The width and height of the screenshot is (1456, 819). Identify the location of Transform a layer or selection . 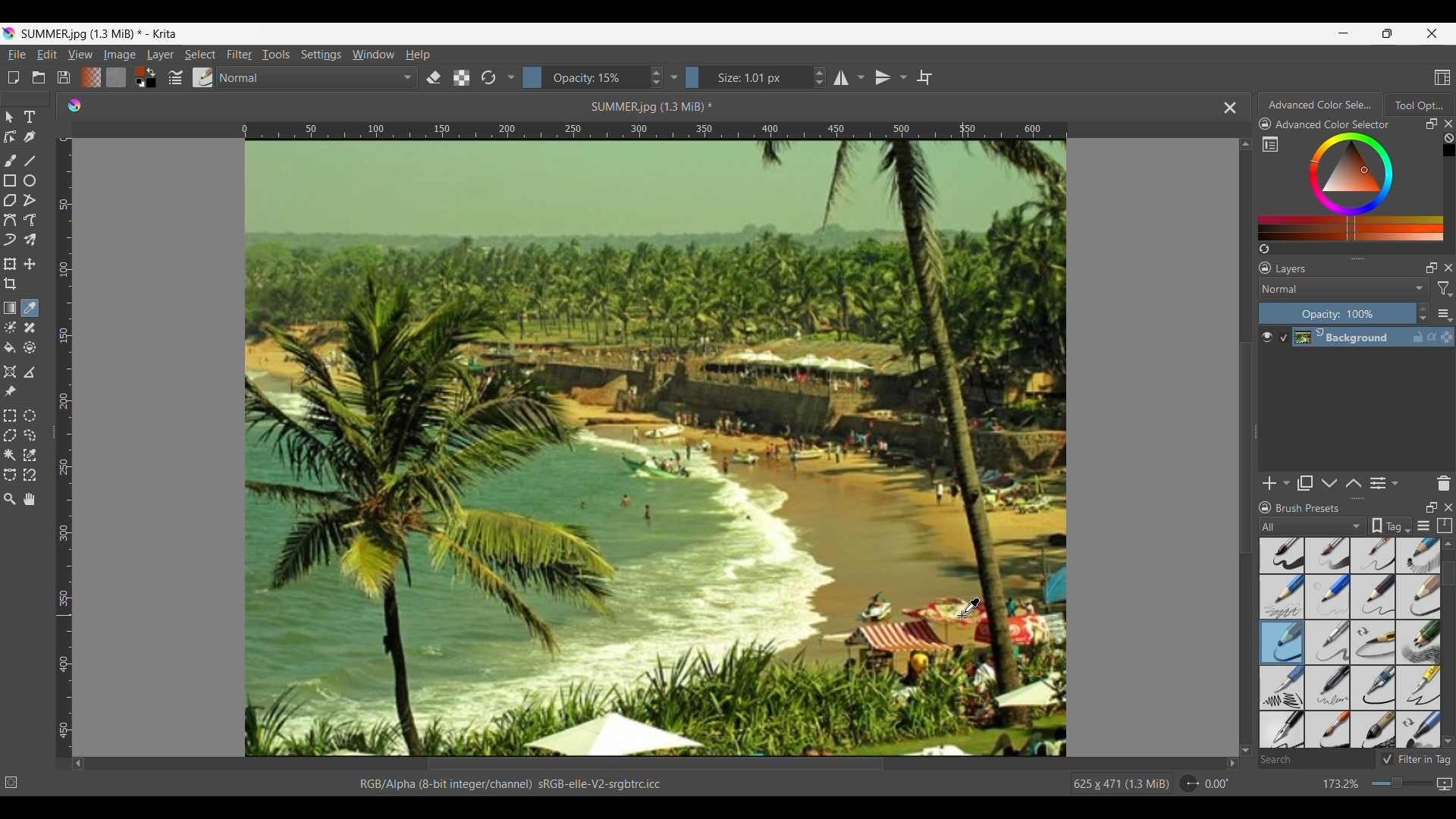
(9, 264).